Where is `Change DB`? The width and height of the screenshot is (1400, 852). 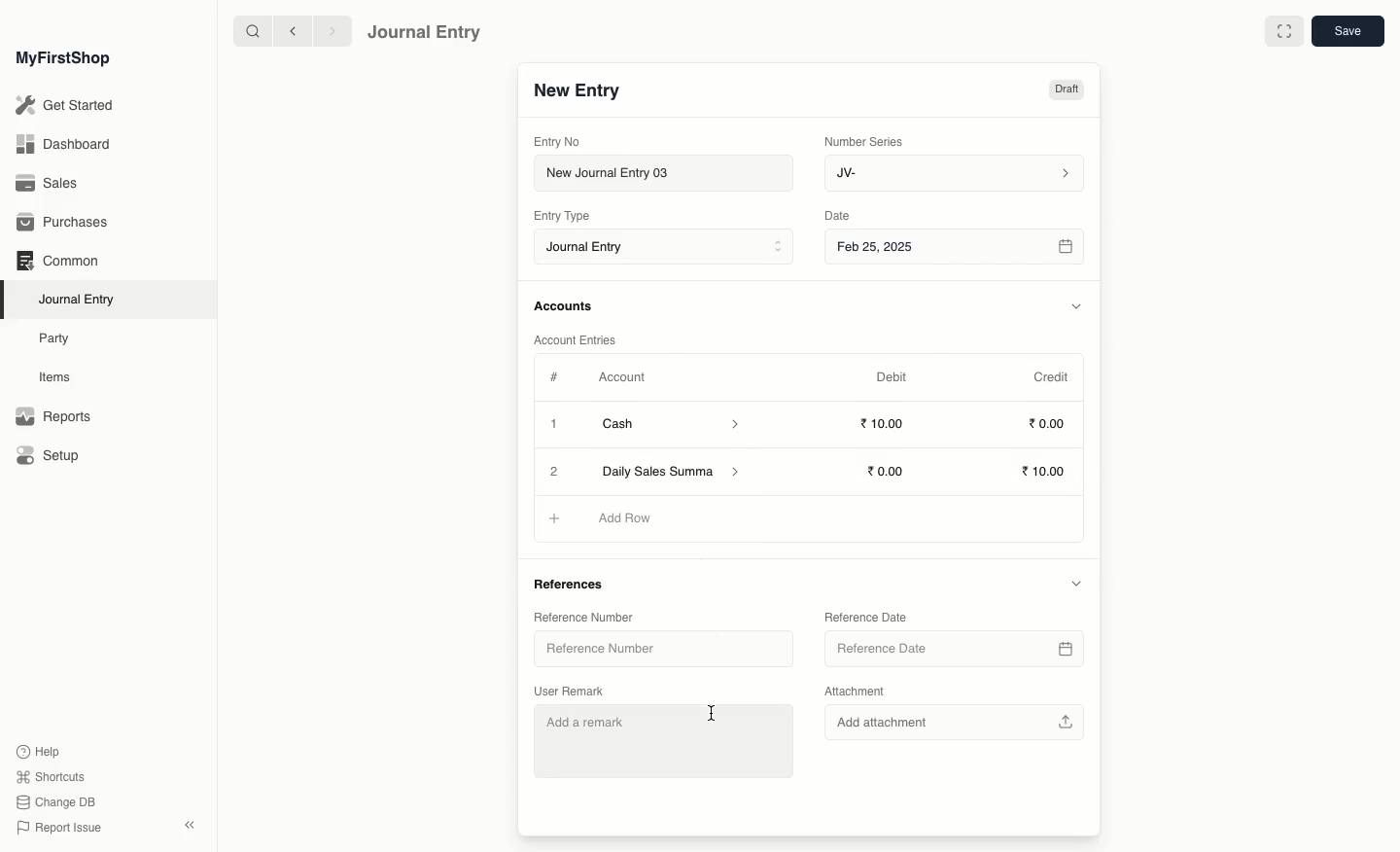
Change DB is located at coordinates (56, 803).